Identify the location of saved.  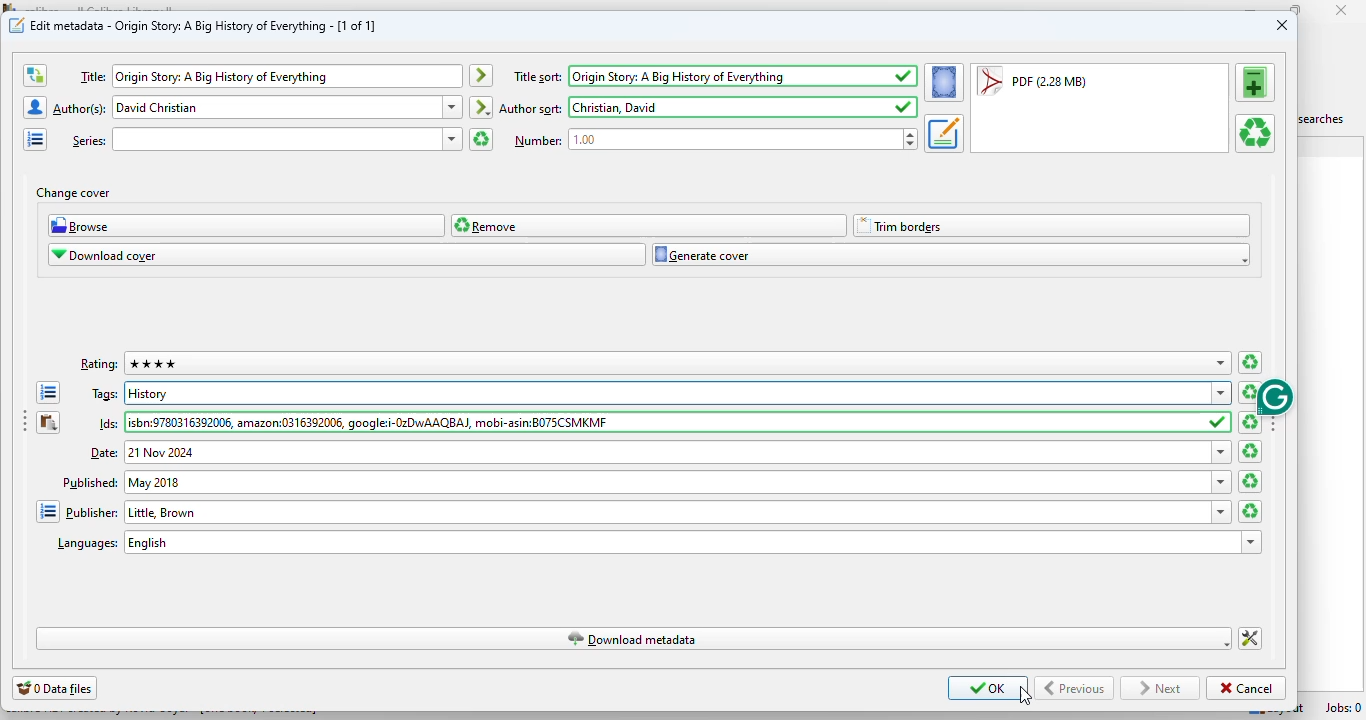
(905, 76).